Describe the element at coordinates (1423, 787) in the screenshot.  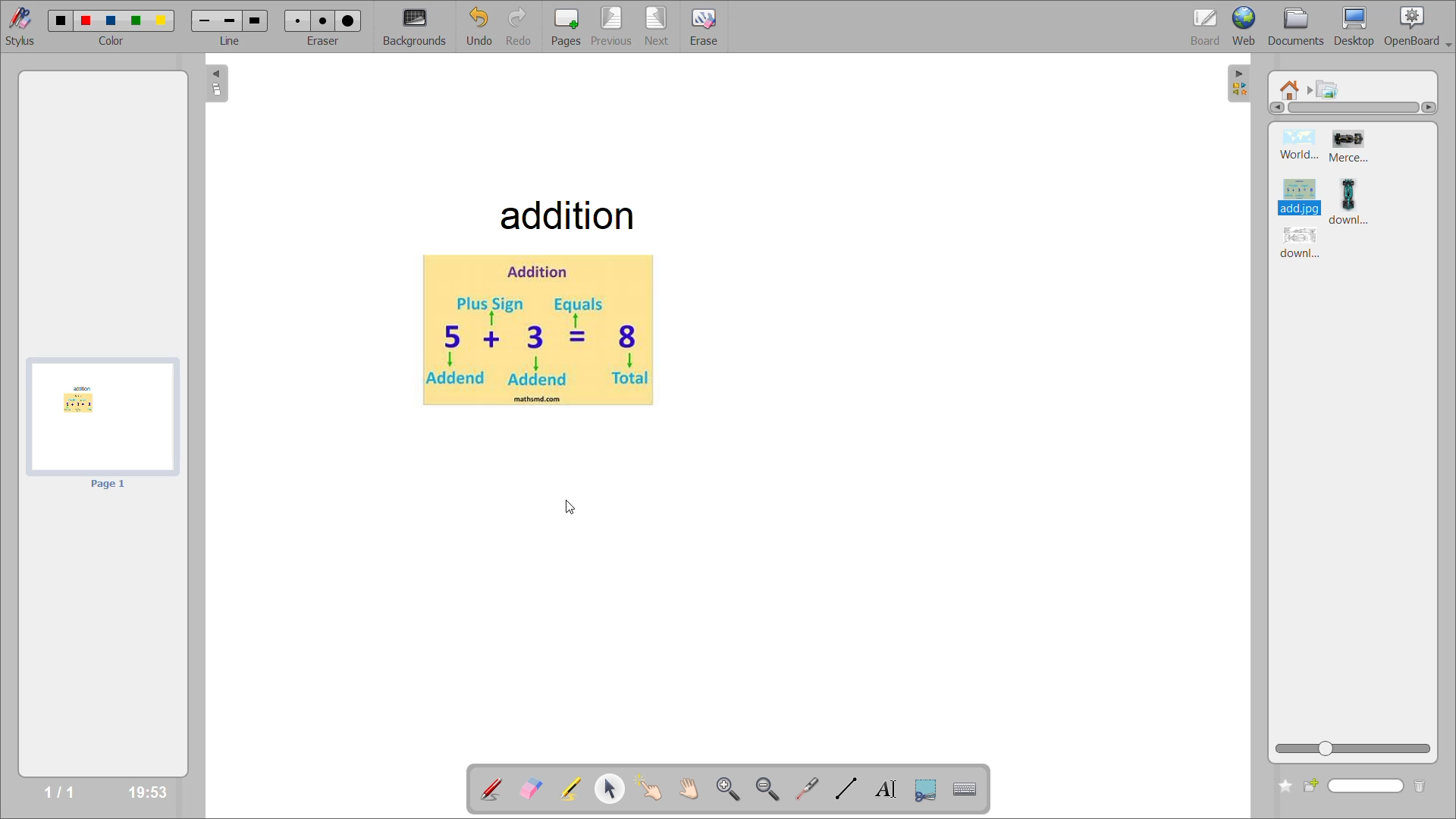
I see `delete` at that location.